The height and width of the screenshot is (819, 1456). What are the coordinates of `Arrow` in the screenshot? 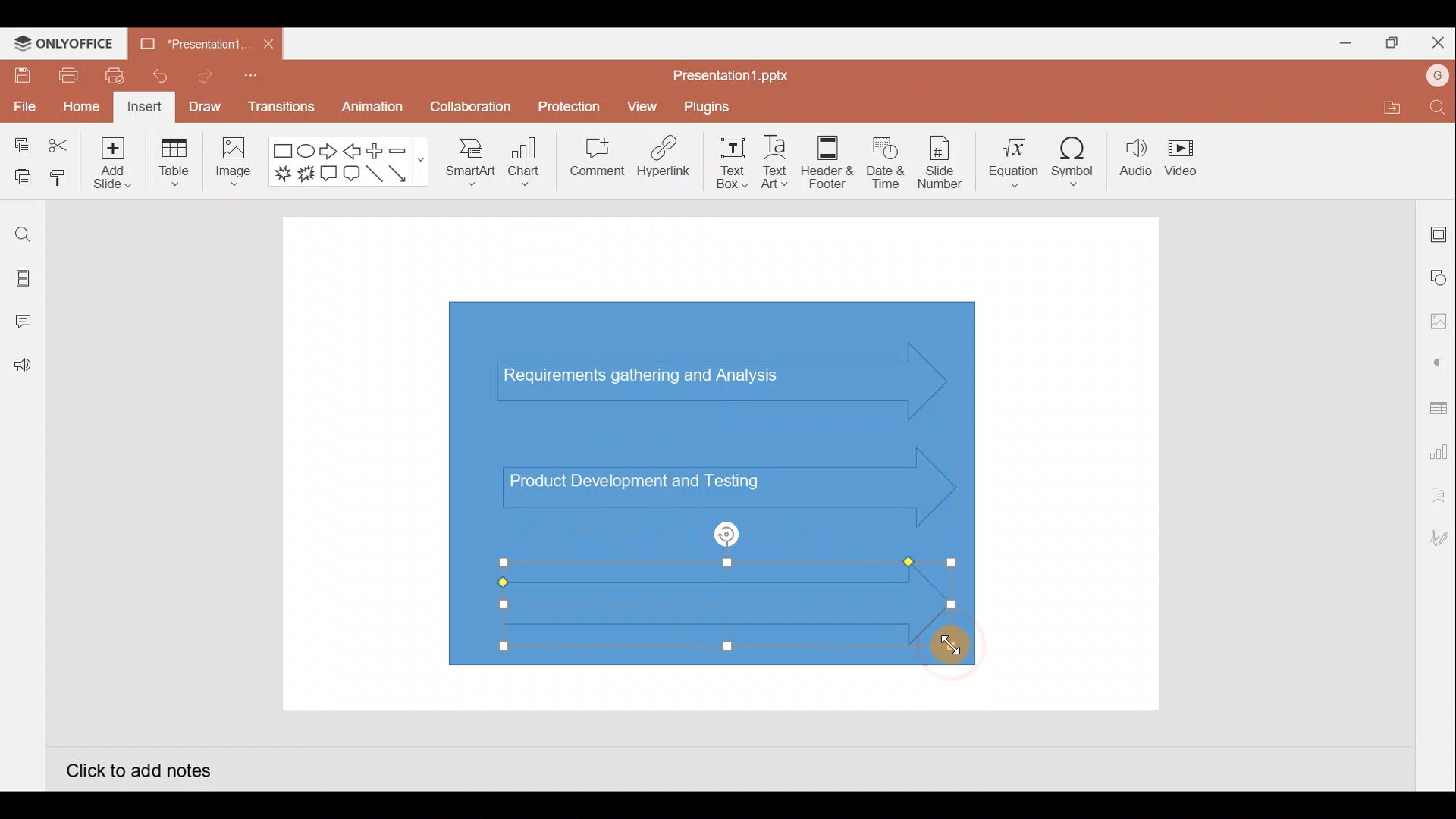 It's located at (406, 174).